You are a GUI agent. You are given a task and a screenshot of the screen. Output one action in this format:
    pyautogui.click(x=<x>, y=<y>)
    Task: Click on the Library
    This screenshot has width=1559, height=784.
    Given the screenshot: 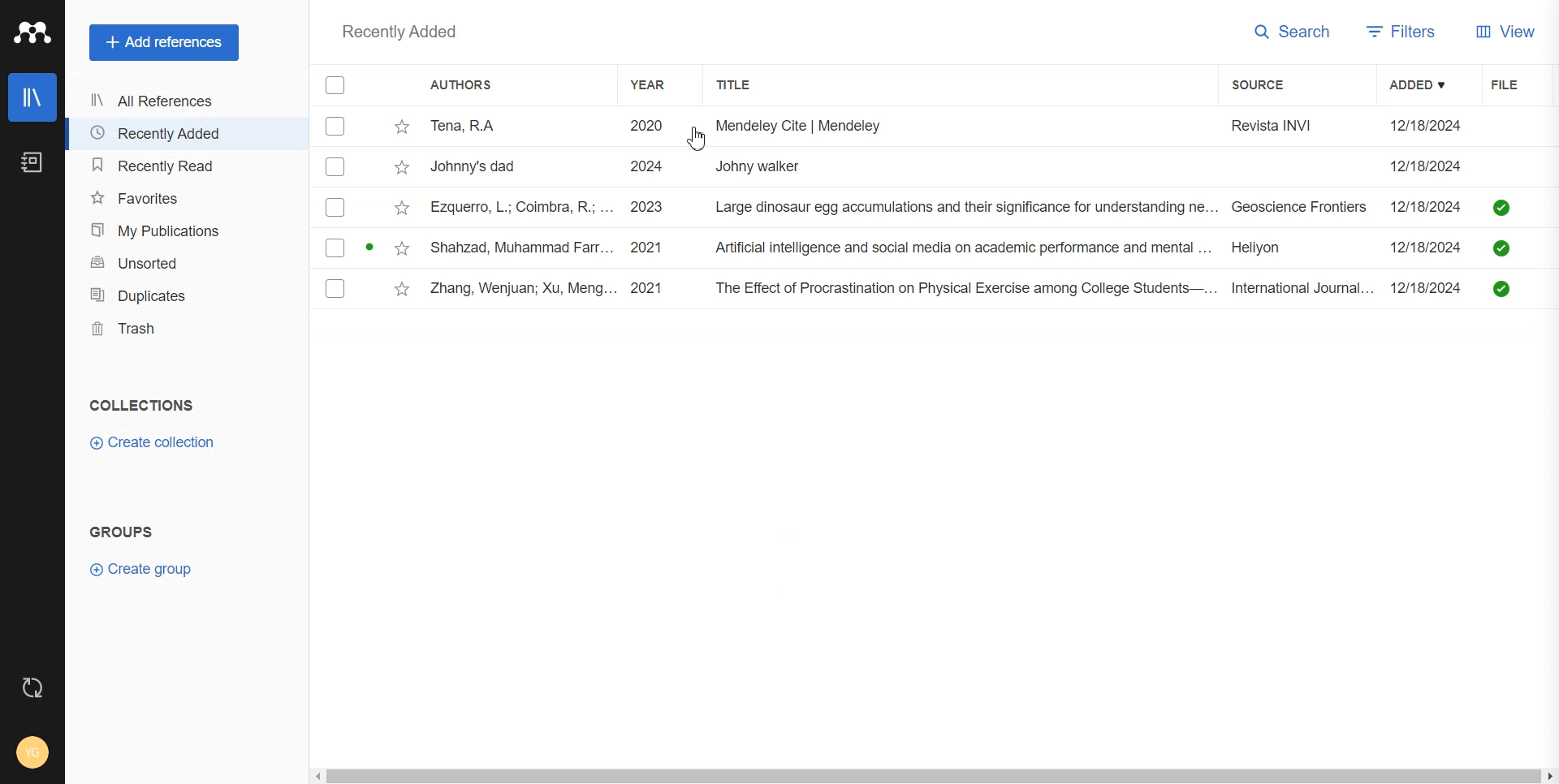 What is the action you would take?
    pyautogui.click(x=33, y=97)
    